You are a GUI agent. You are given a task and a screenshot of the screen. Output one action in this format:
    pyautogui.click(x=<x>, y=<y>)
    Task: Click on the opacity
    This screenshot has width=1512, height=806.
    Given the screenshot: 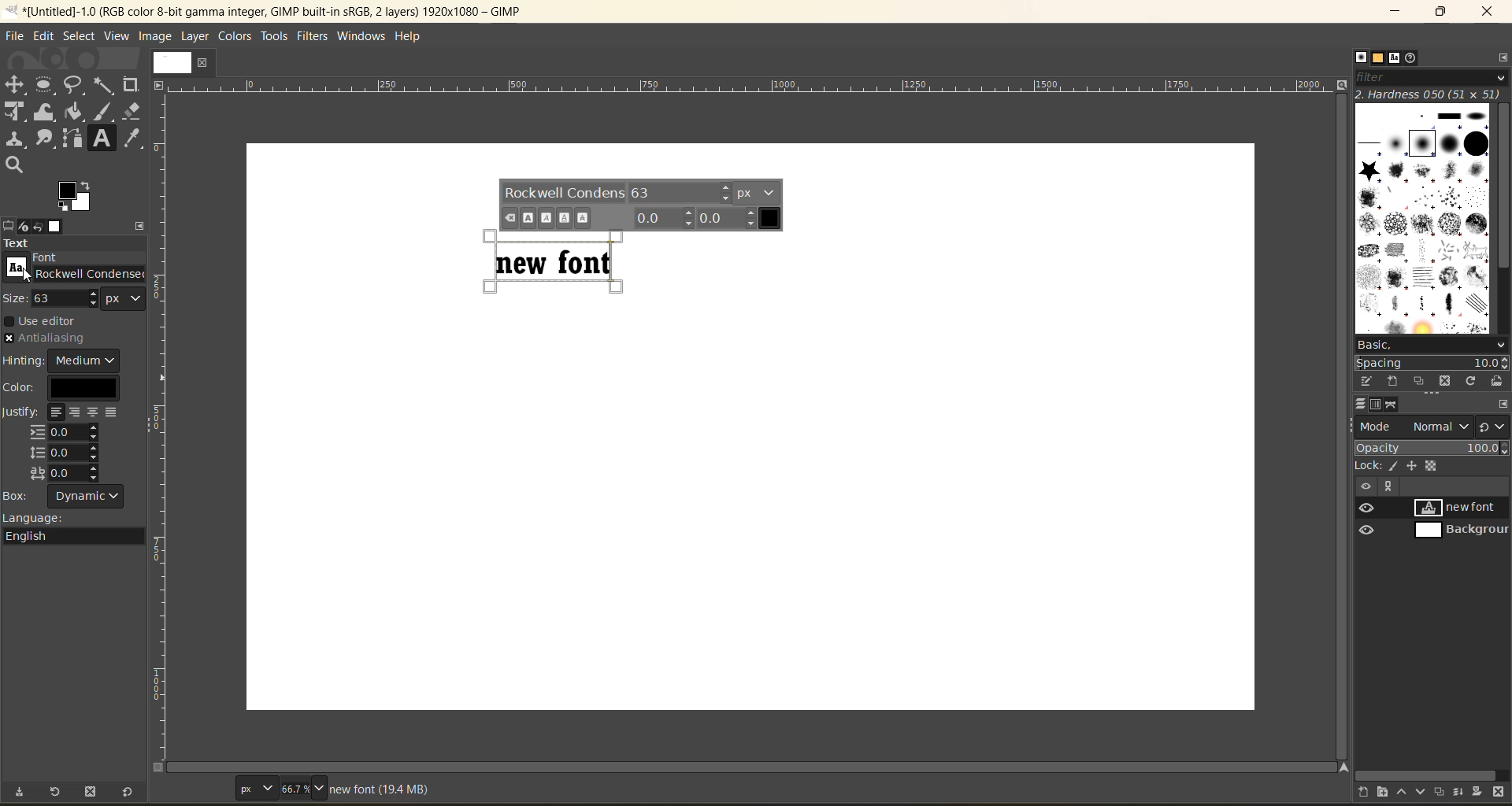 What is the action you would take?
    pyautogui.click(x=1432, y=447)
    